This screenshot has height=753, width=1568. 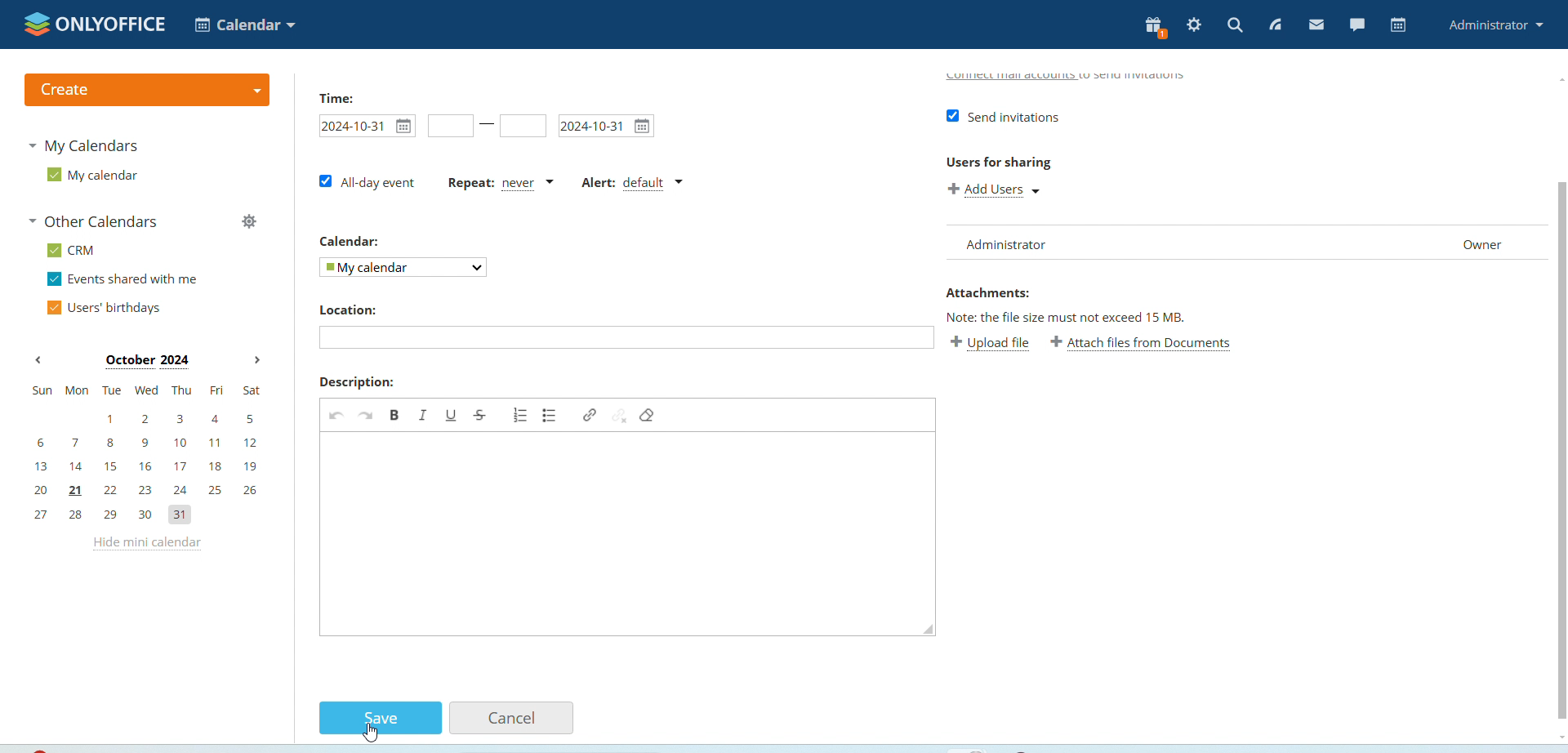 What do you see at coordinates (121, 278) in the screenshot?
I see `events shared with me` at bounding box center [121, 278].